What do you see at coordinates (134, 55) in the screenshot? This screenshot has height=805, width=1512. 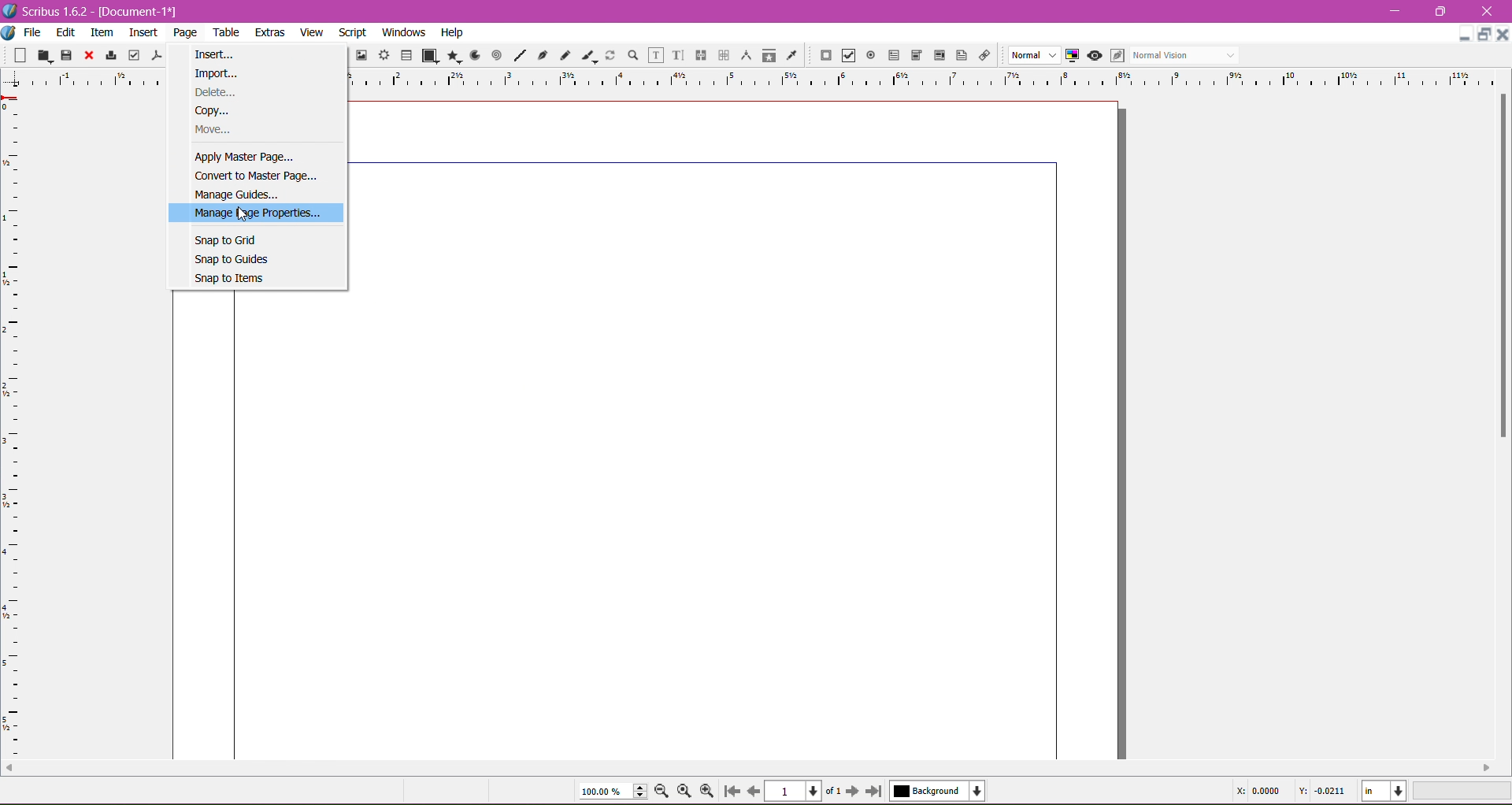 I see `Preflight Verifier` at bounding box center [134, 55].